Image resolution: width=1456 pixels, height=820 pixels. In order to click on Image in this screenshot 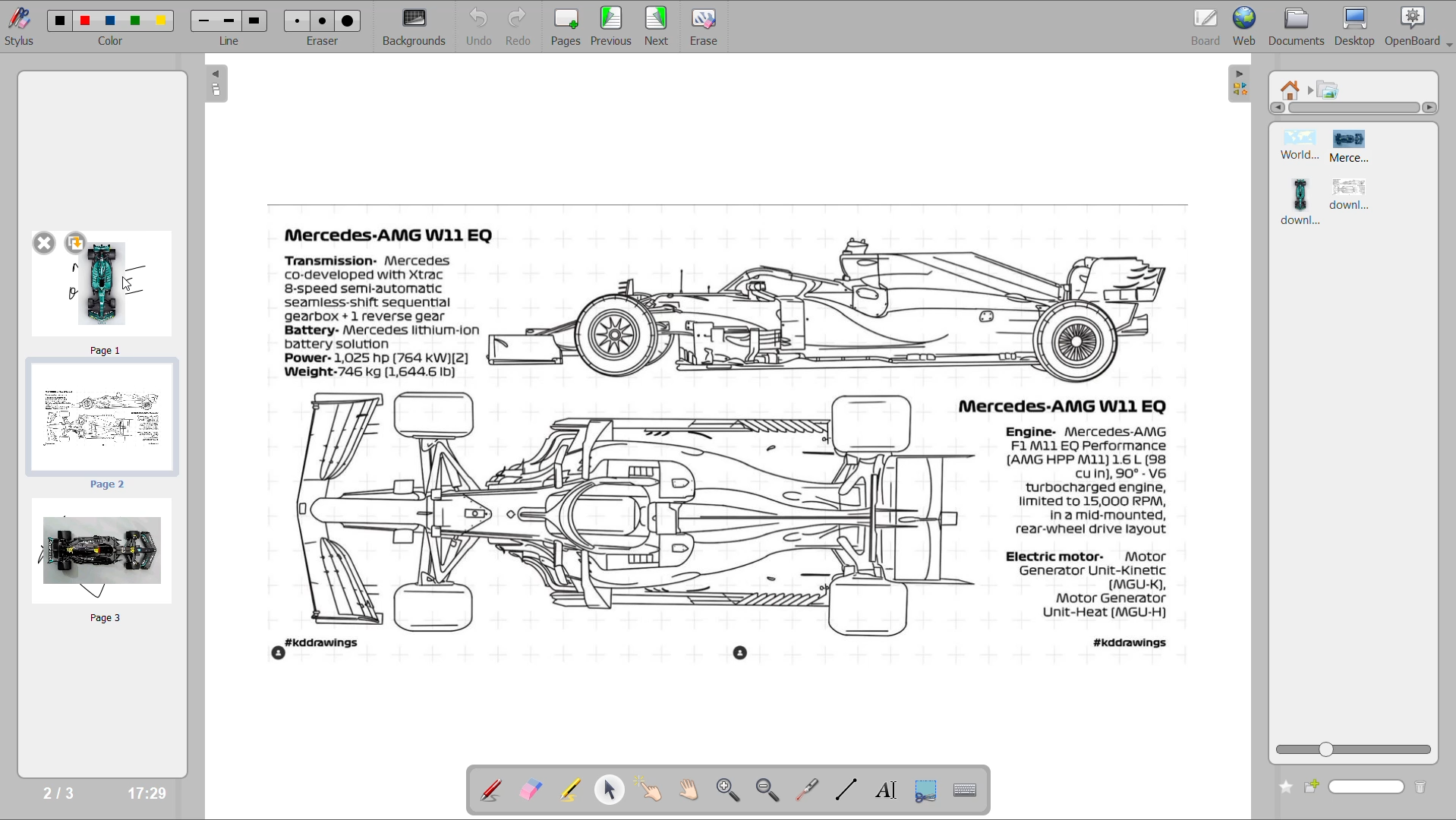, I will do `click(837, 309)`.